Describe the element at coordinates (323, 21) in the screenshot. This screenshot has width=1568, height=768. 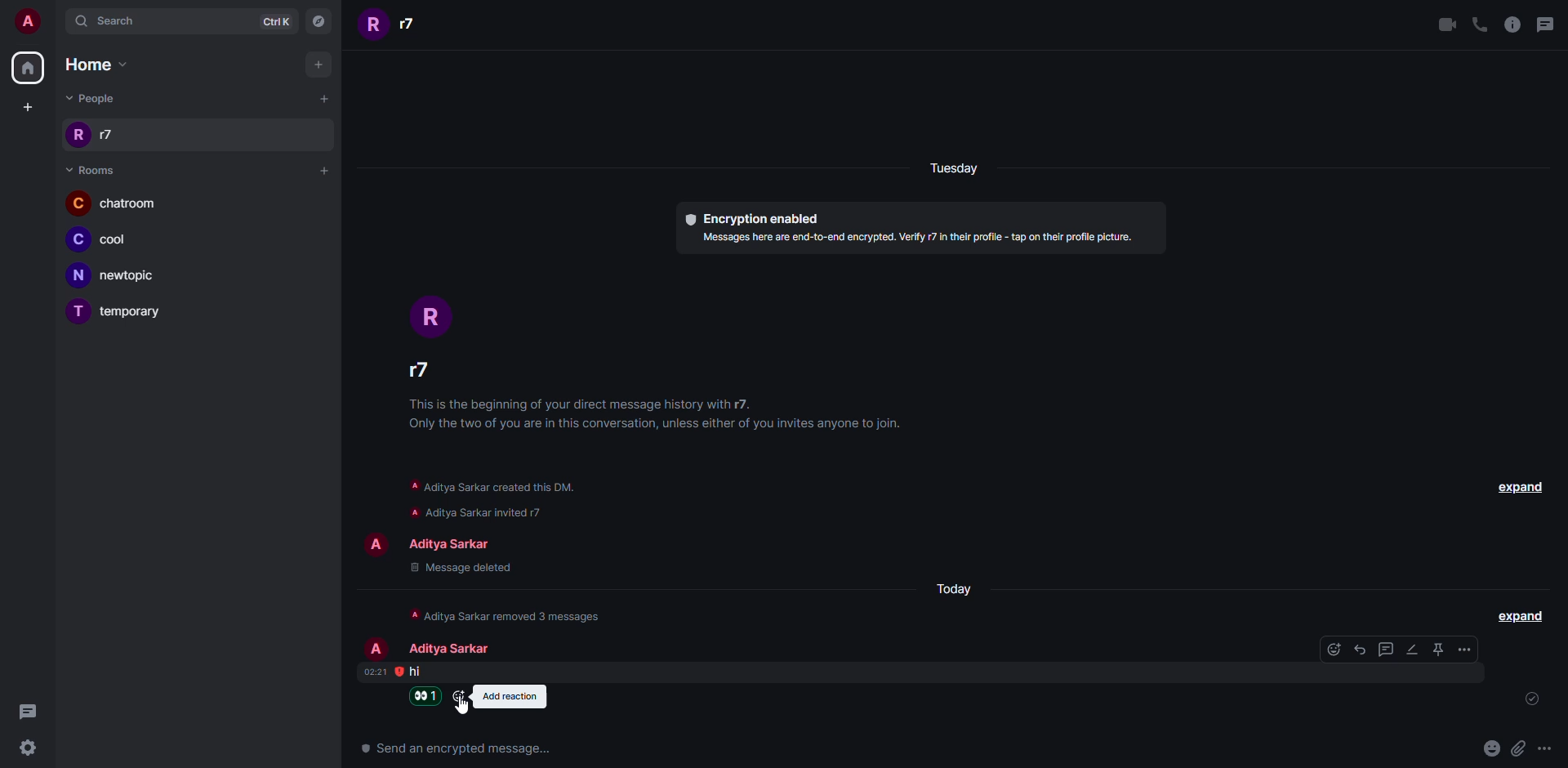
I see `navigator` at that location.